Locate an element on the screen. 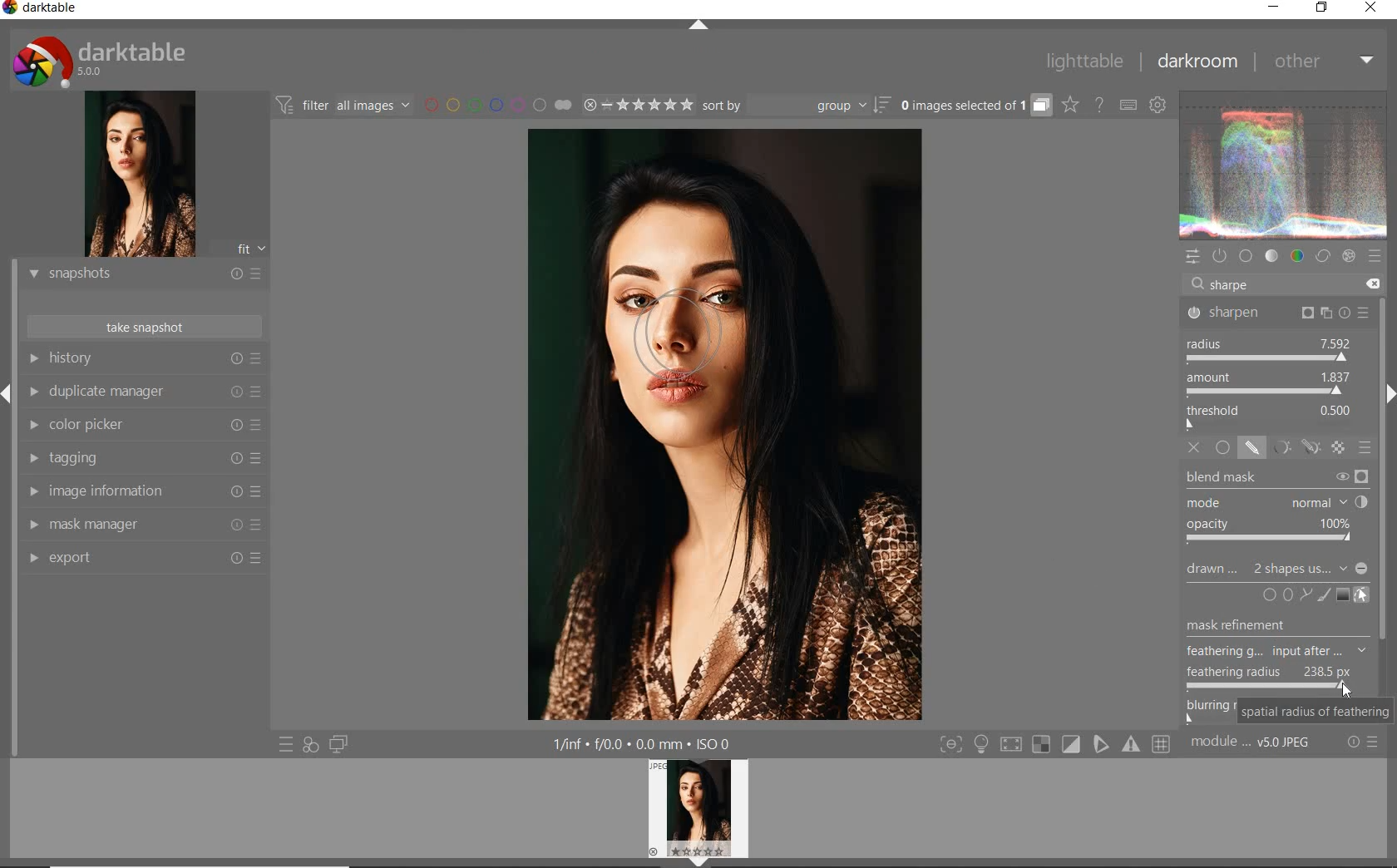 This screenshot has height=868, width=1397. RADIUS is located at coordinates (1269, 348).